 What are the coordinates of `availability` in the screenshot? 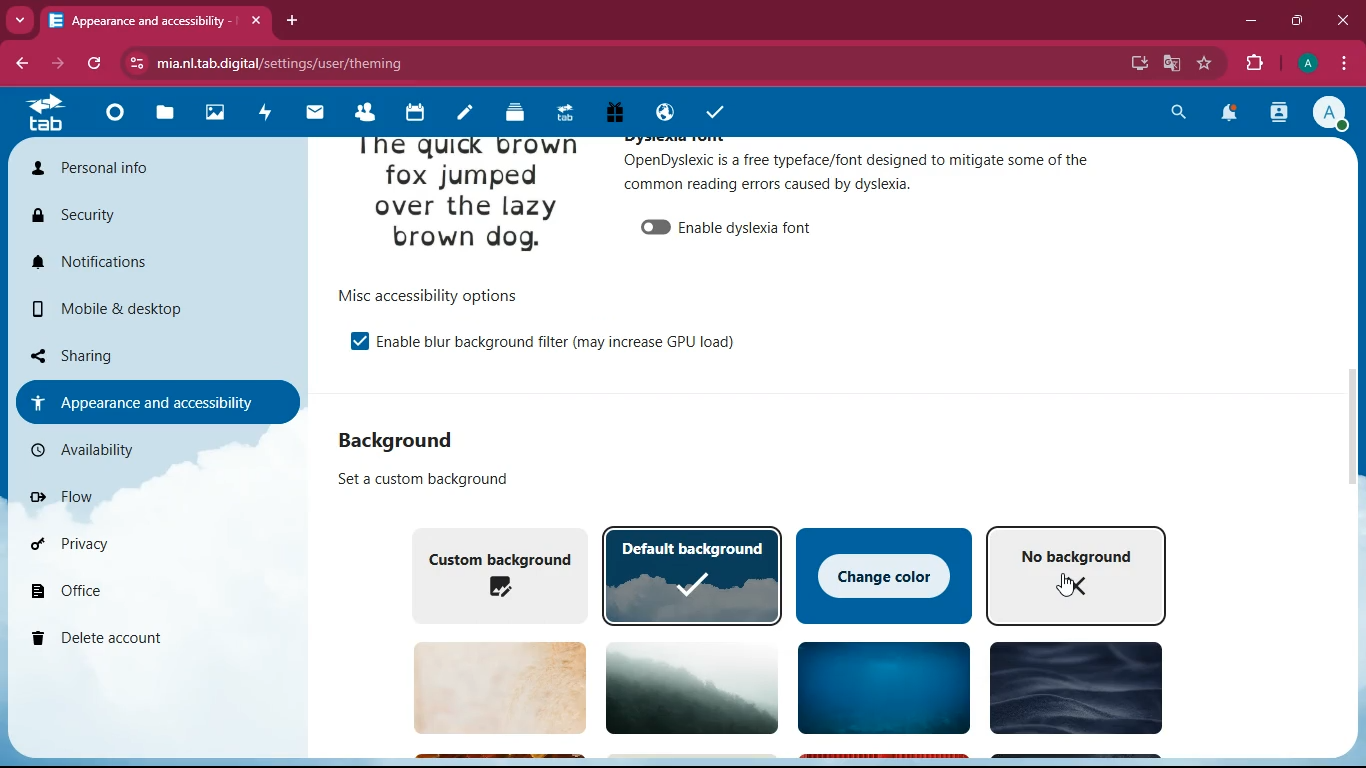 It's located at (145, 450).